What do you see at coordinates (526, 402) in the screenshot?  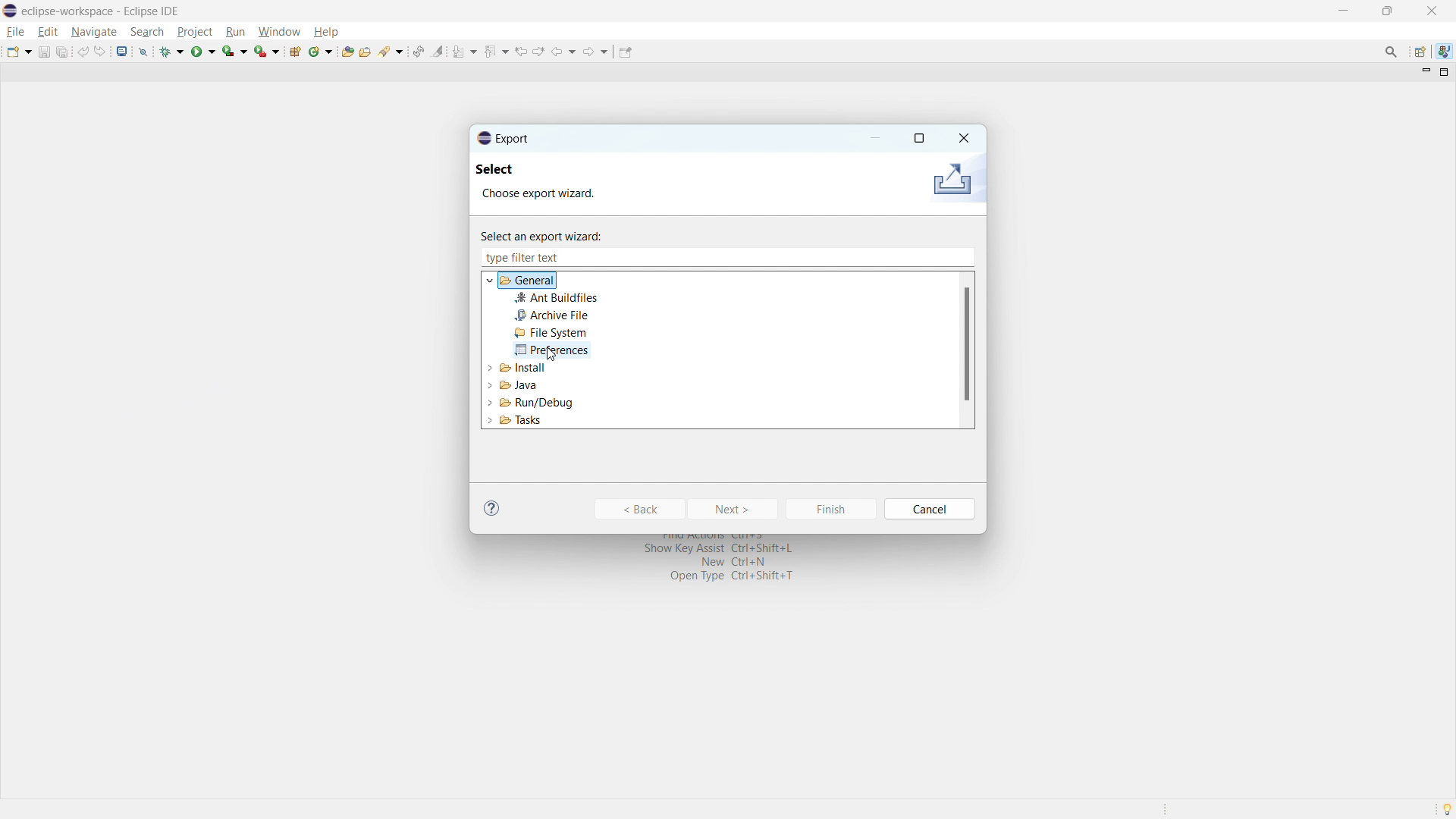 I see `Run/Debug` at bounding box center [526, 402].